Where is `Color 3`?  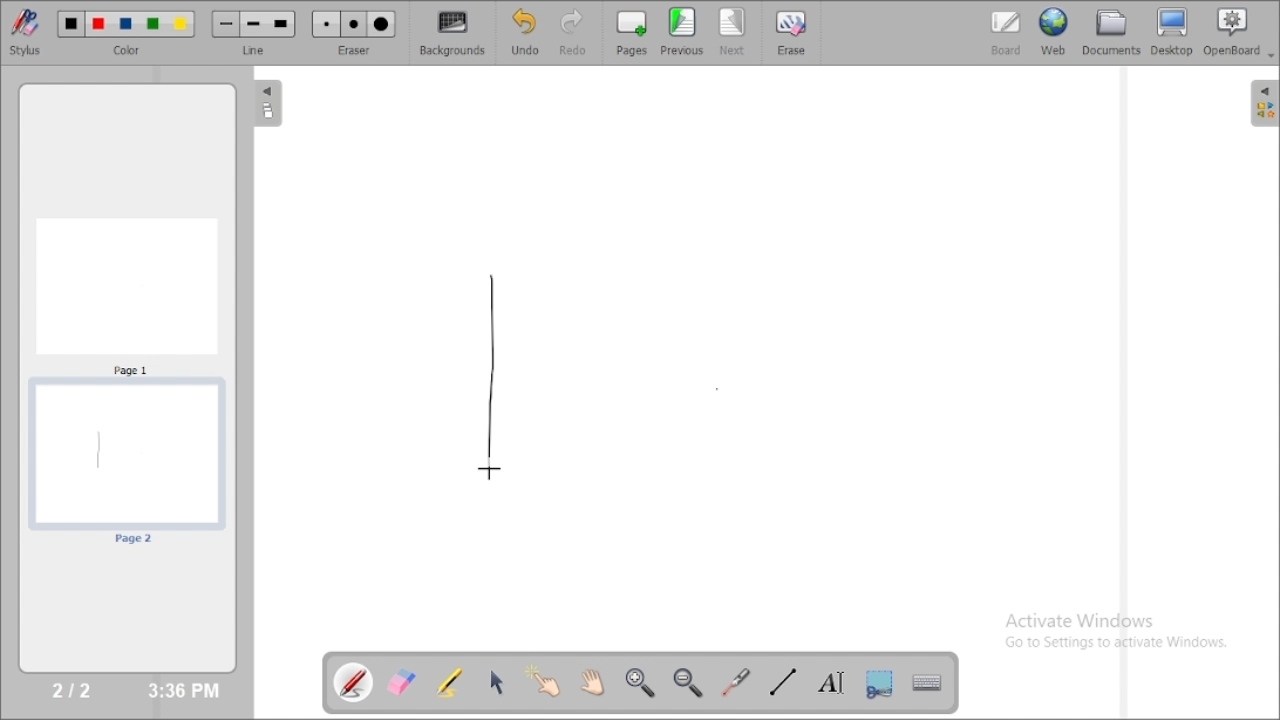
Color 3 is located at coordinates (126, 25).